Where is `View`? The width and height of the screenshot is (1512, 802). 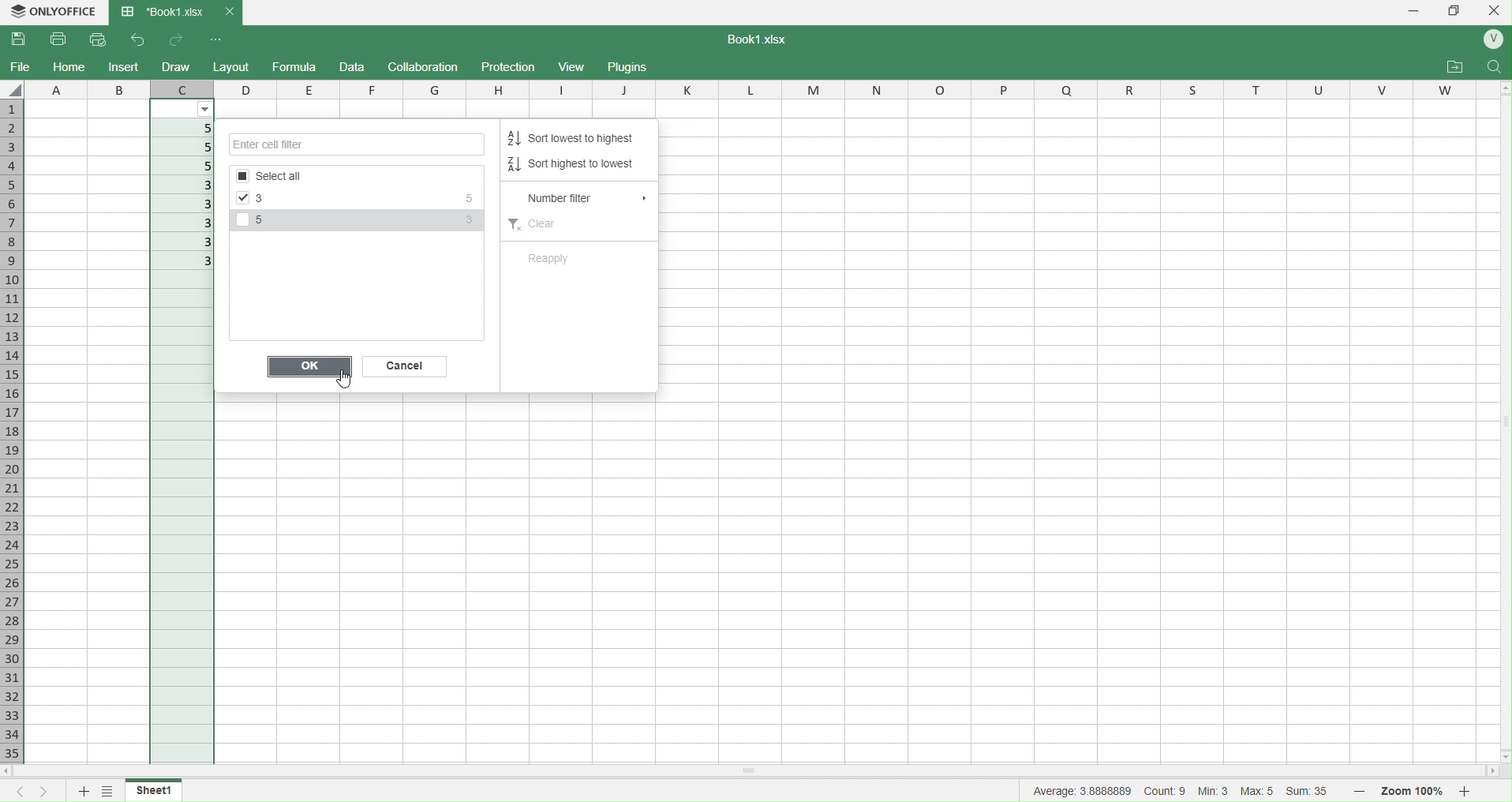 View is located at coordinates (574, 66).